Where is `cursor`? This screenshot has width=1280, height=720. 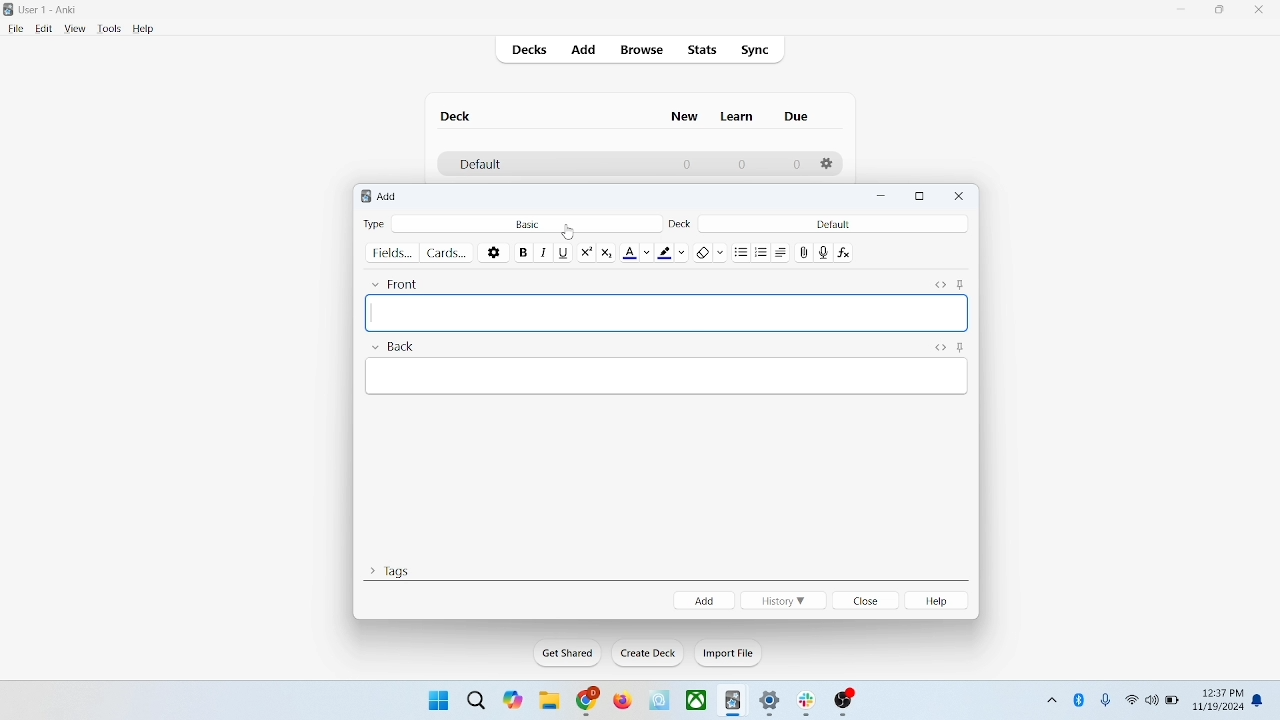 cursor is located at coordinates (569, 232).